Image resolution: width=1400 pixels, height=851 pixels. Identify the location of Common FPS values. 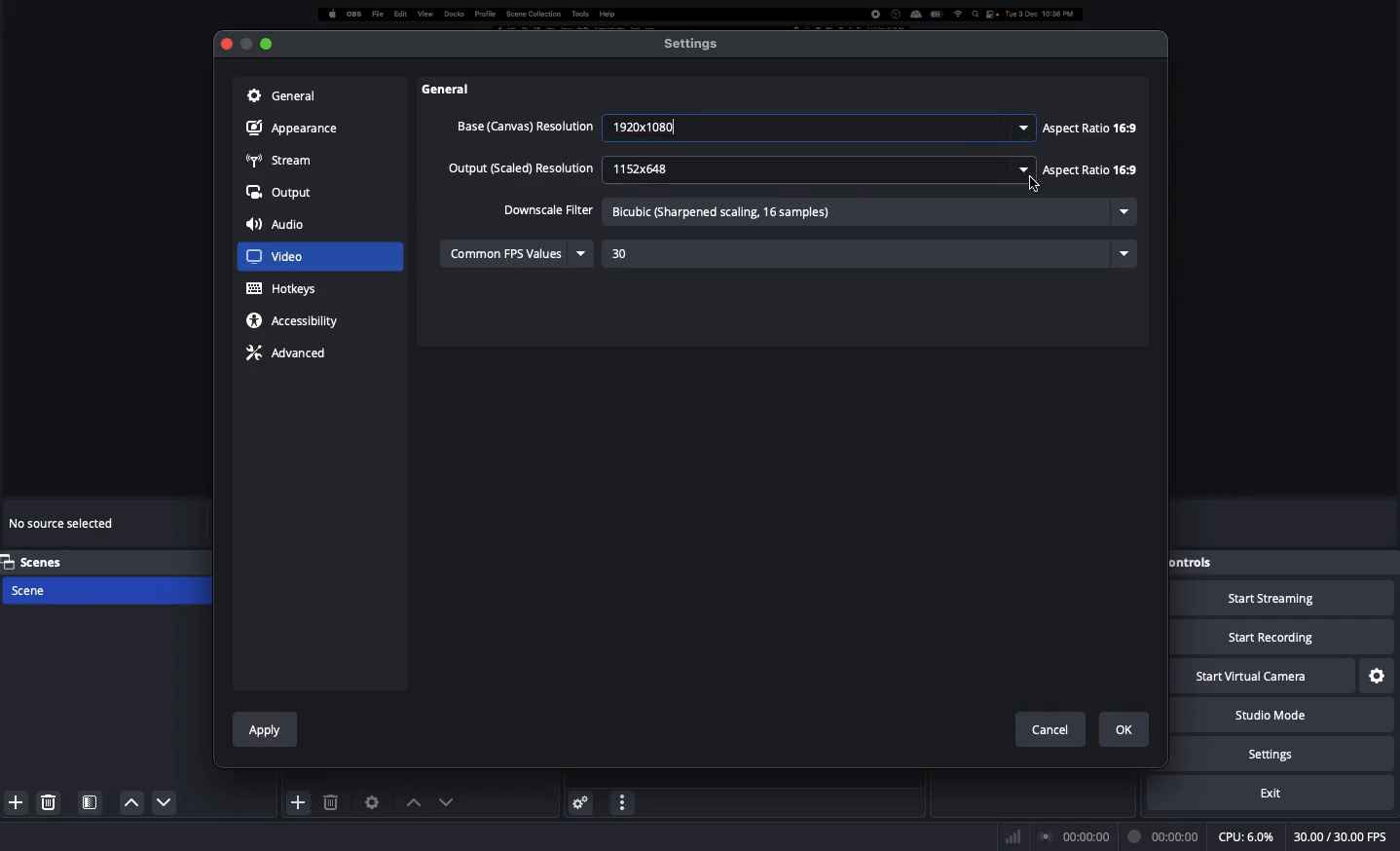
(519, 252).